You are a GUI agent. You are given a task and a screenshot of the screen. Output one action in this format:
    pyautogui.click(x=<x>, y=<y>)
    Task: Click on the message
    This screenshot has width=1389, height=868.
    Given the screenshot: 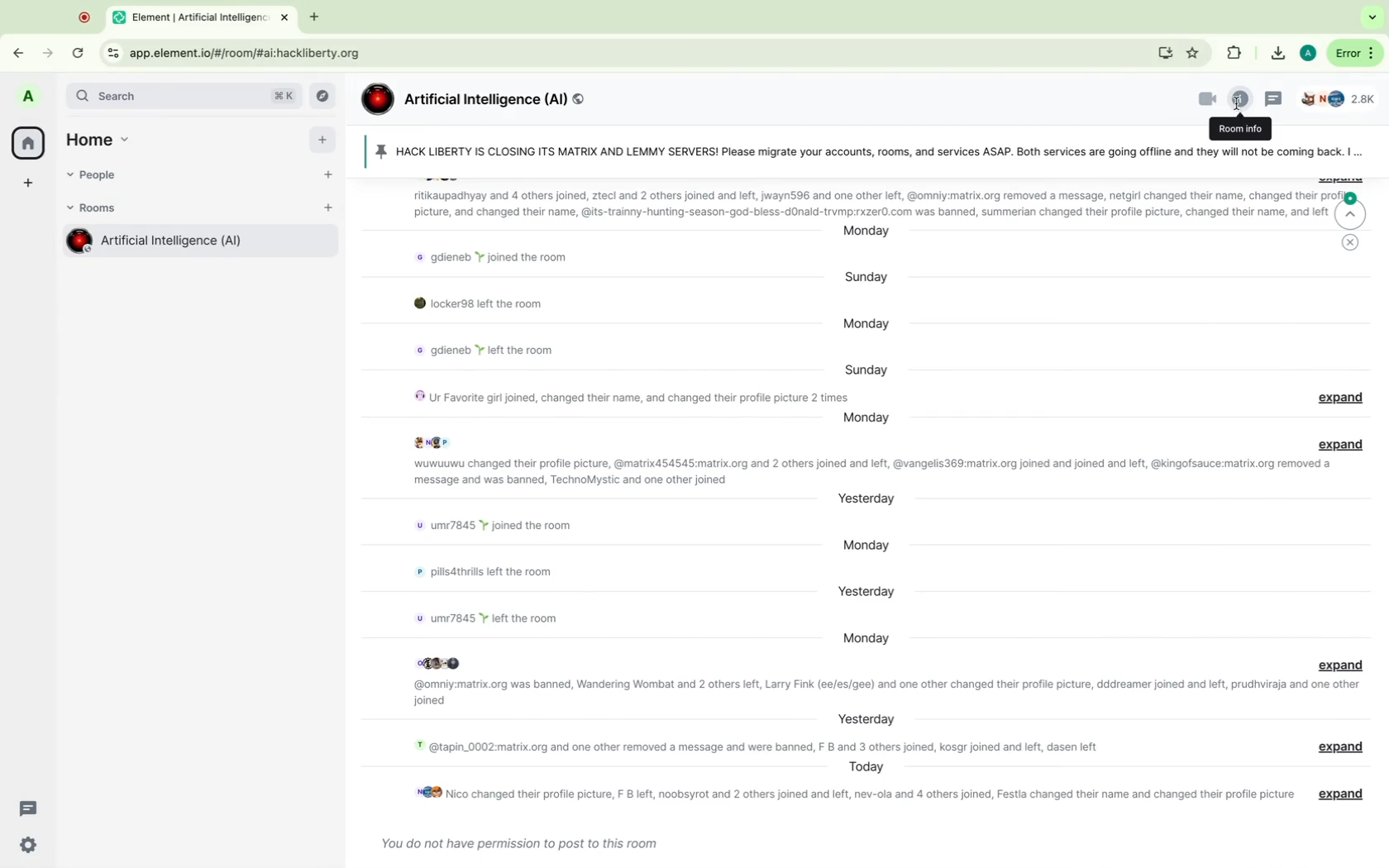 What is the action you would take?
    pyautogui.click(x=478, y=303)
    